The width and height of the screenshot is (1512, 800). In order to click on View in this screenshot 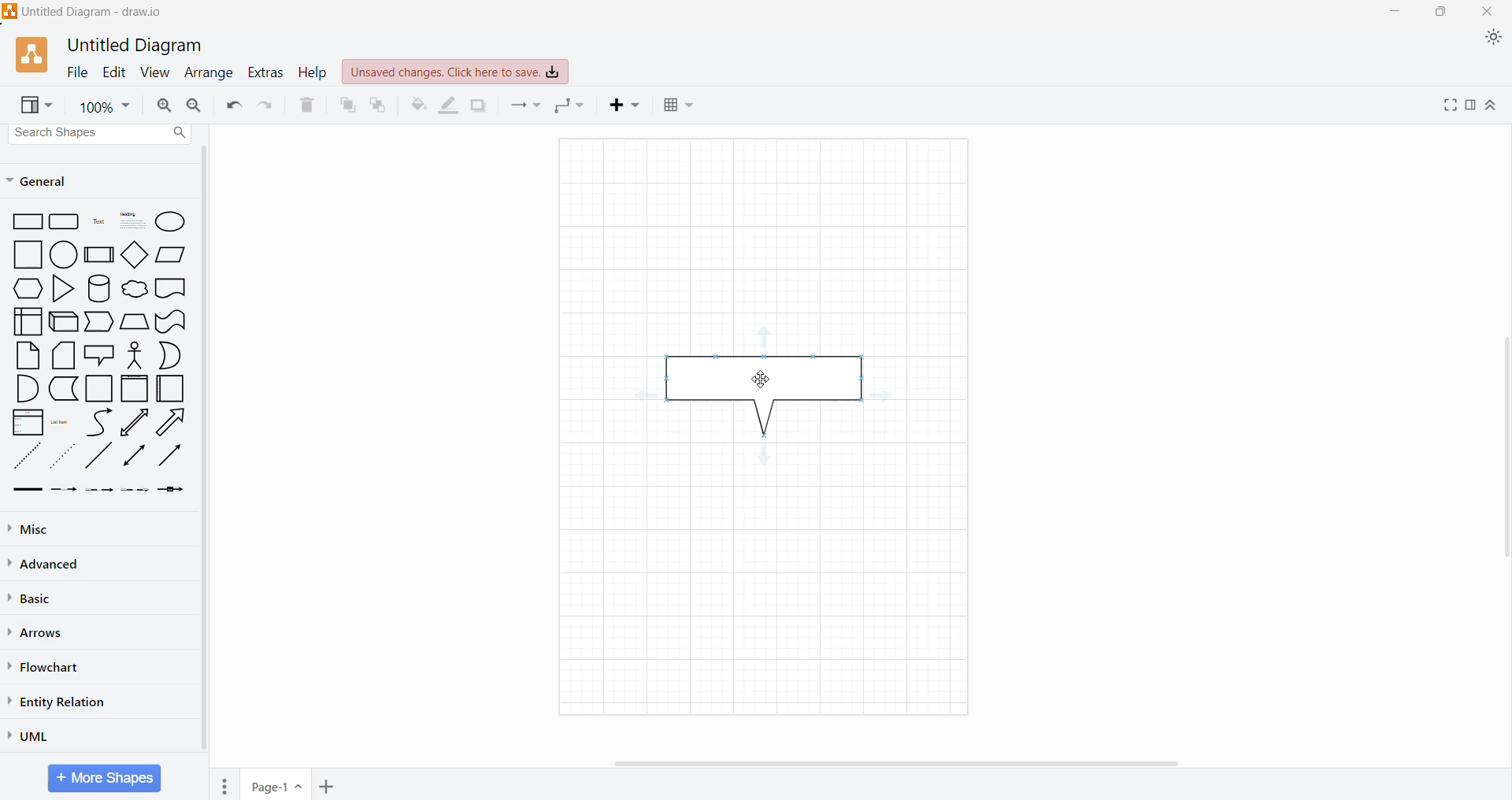, I will do `click(38, 106)`.